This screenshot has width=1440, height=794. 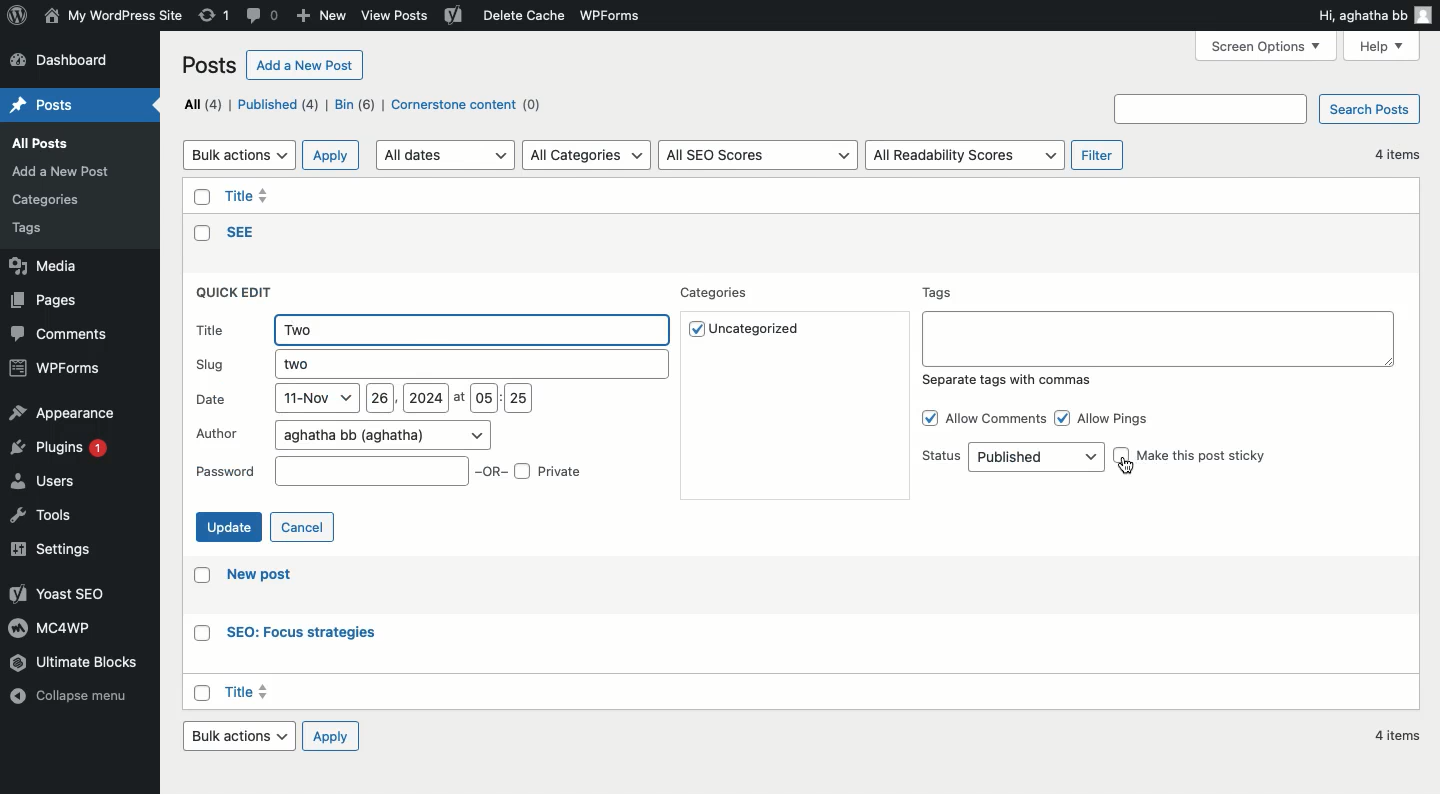 I want to click on Allow comments, so click(x=982, y=418).